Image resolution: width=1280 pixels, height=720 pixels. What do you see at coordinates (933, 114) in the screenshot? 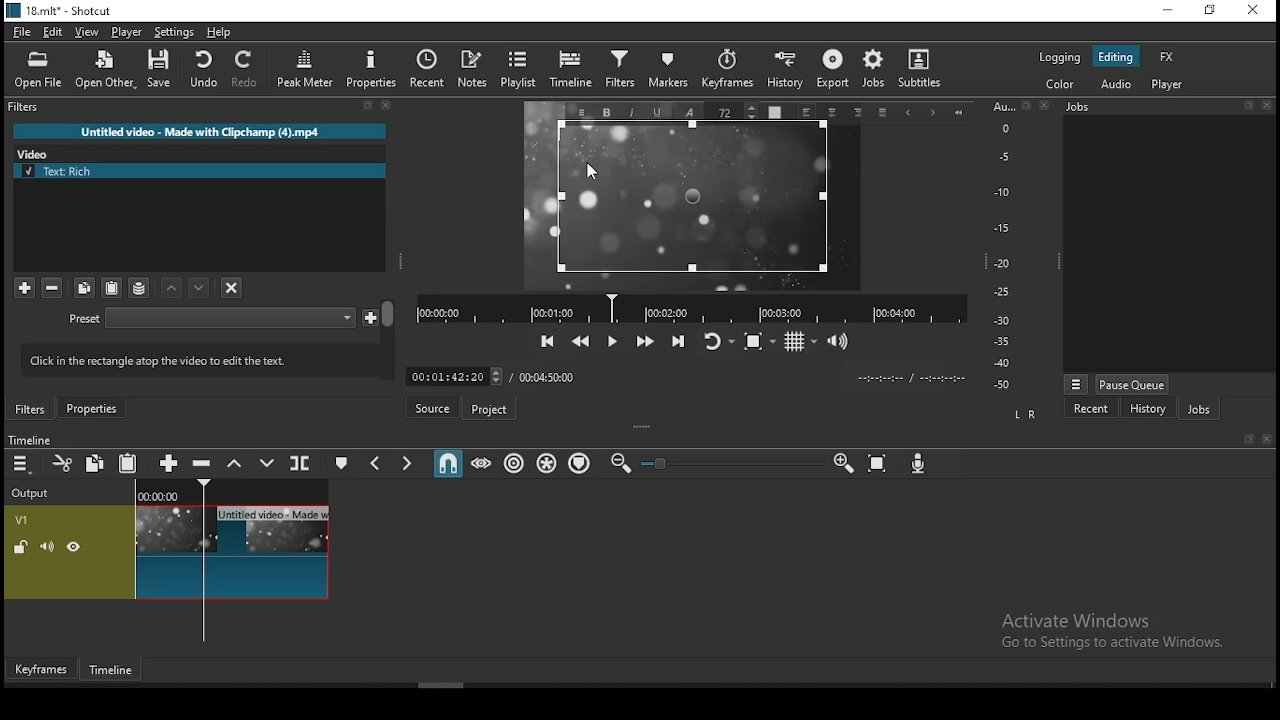
I see `Next` at bounding box center [933, 114].